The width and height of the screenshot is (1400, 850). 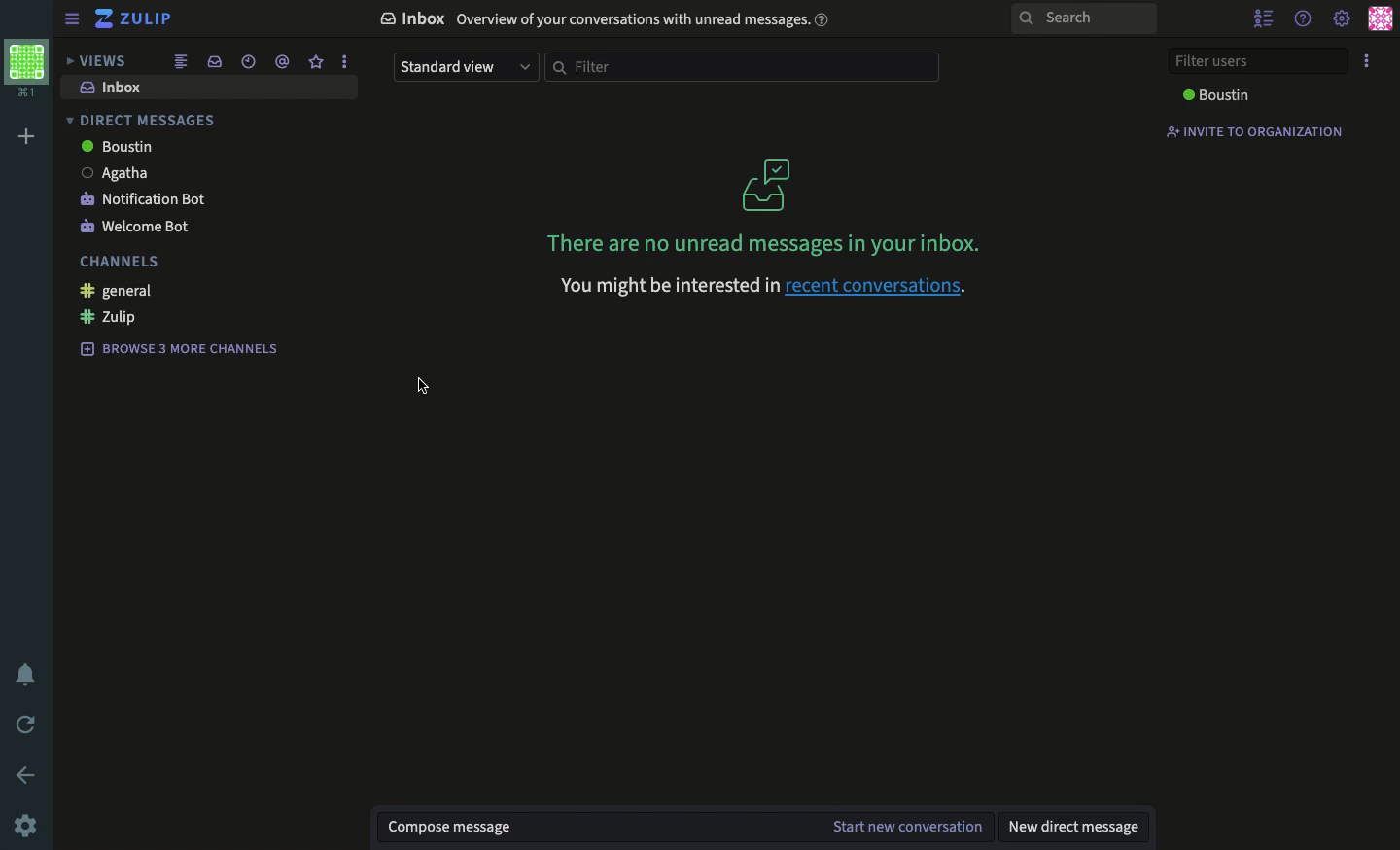 What do you see at coordinates (1260, 59) in the screenshot?
I see `filter users` at bounding box center [1260, 59].